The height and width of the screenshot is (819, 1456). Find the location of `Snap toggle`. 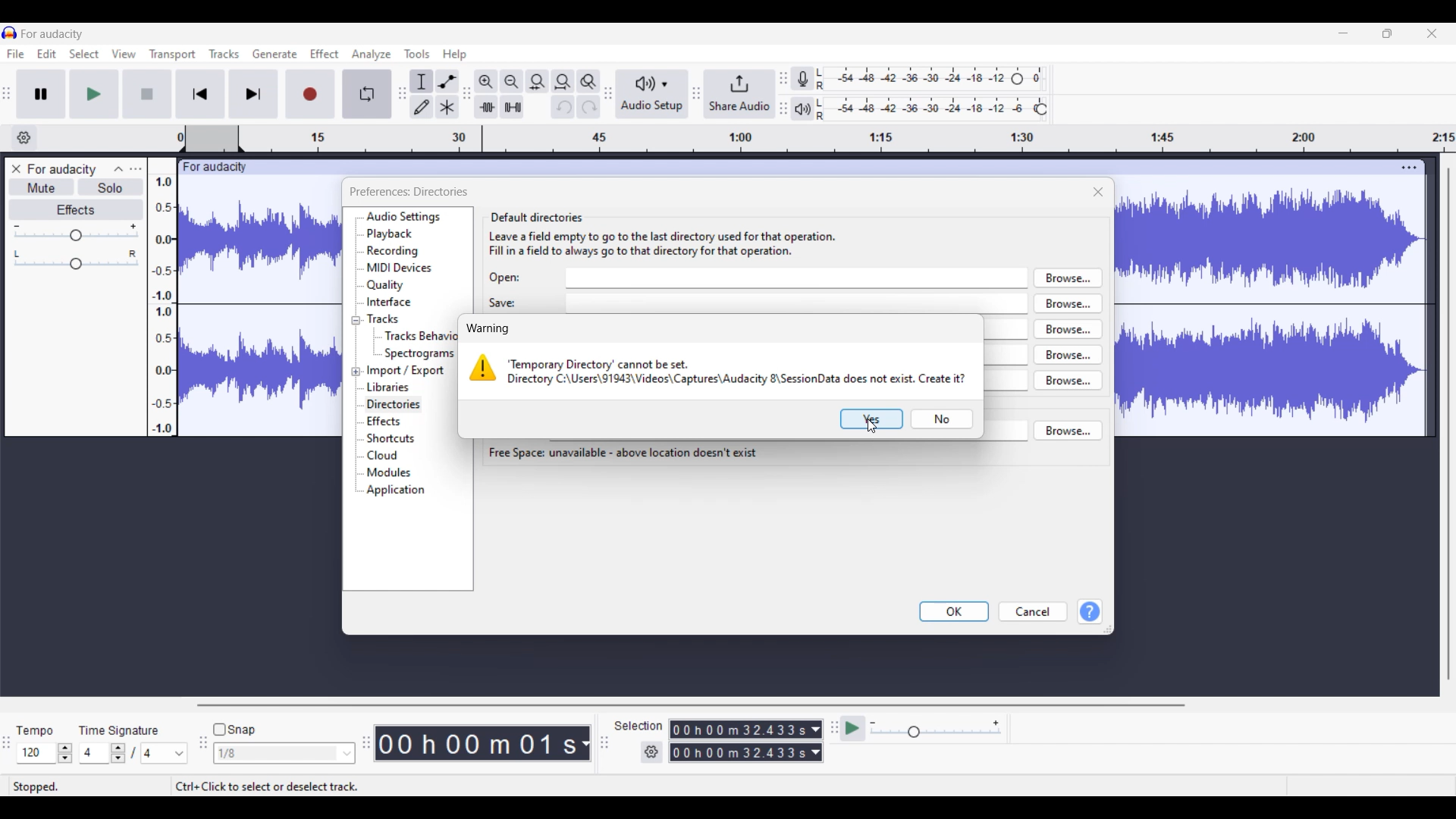

Snap toggle is located at coordinates (235, 730).